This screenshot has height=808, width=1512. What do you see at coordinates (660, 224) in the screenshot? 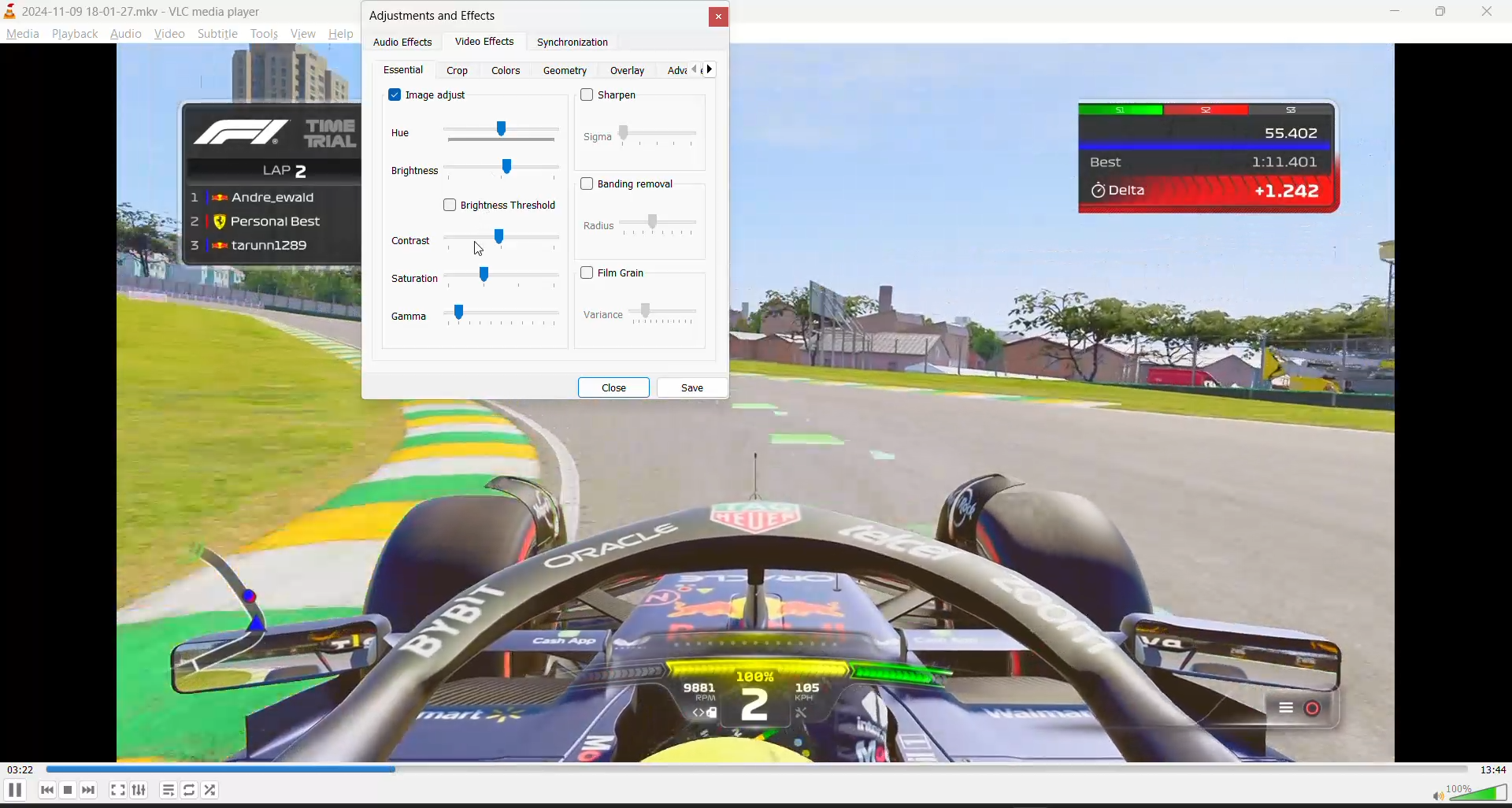
I see `radius slider` at bounding box center [660, 224].